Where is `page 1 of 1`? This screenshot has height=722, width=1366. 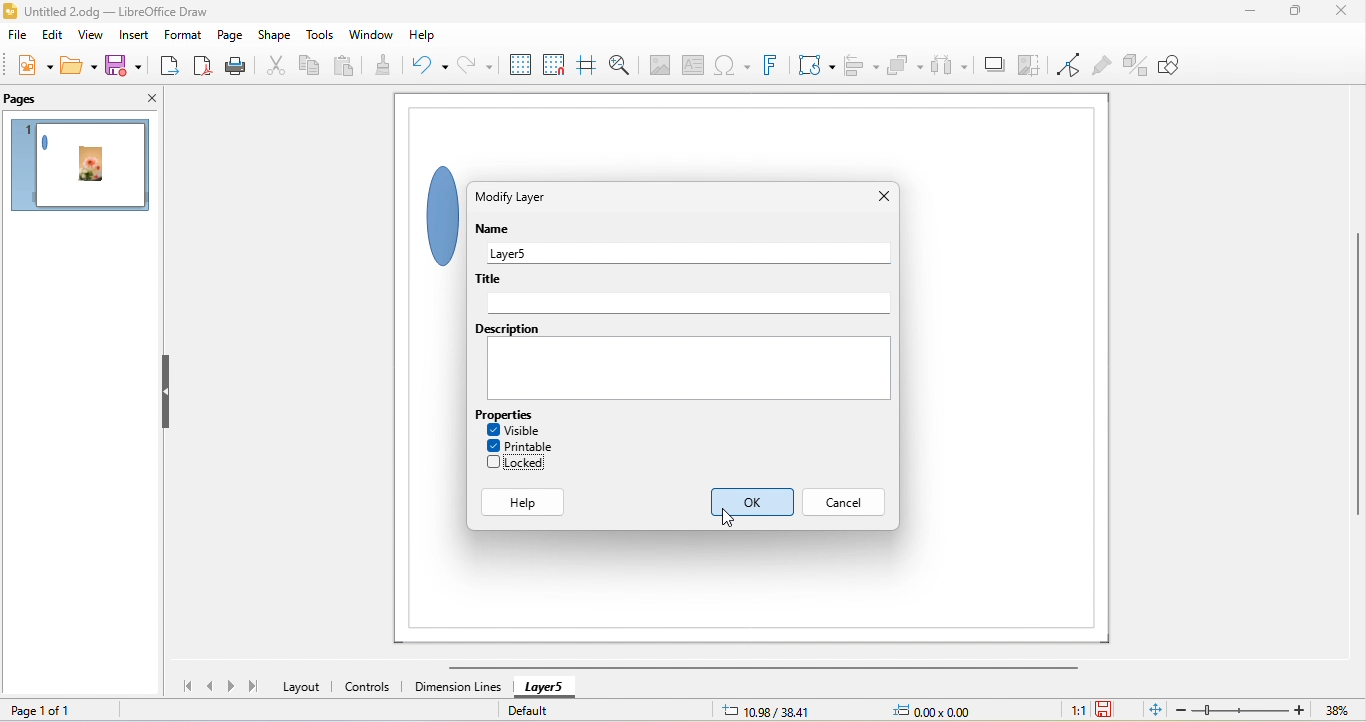 page 1 of 1 is located at coordinates (41, 710).